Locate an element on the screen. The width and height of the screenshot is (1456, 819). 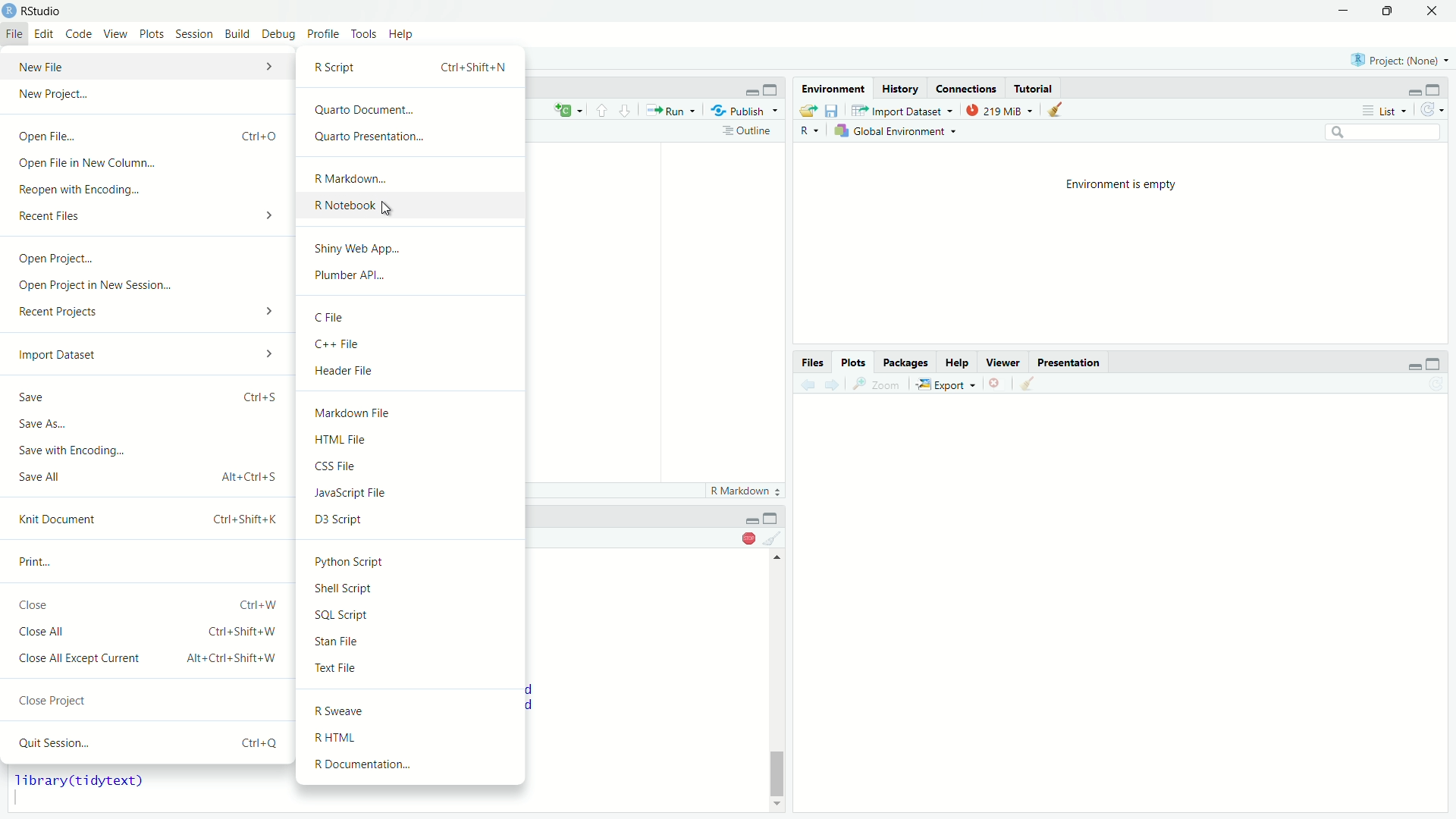
Print... is located at coordinates (146, 559).